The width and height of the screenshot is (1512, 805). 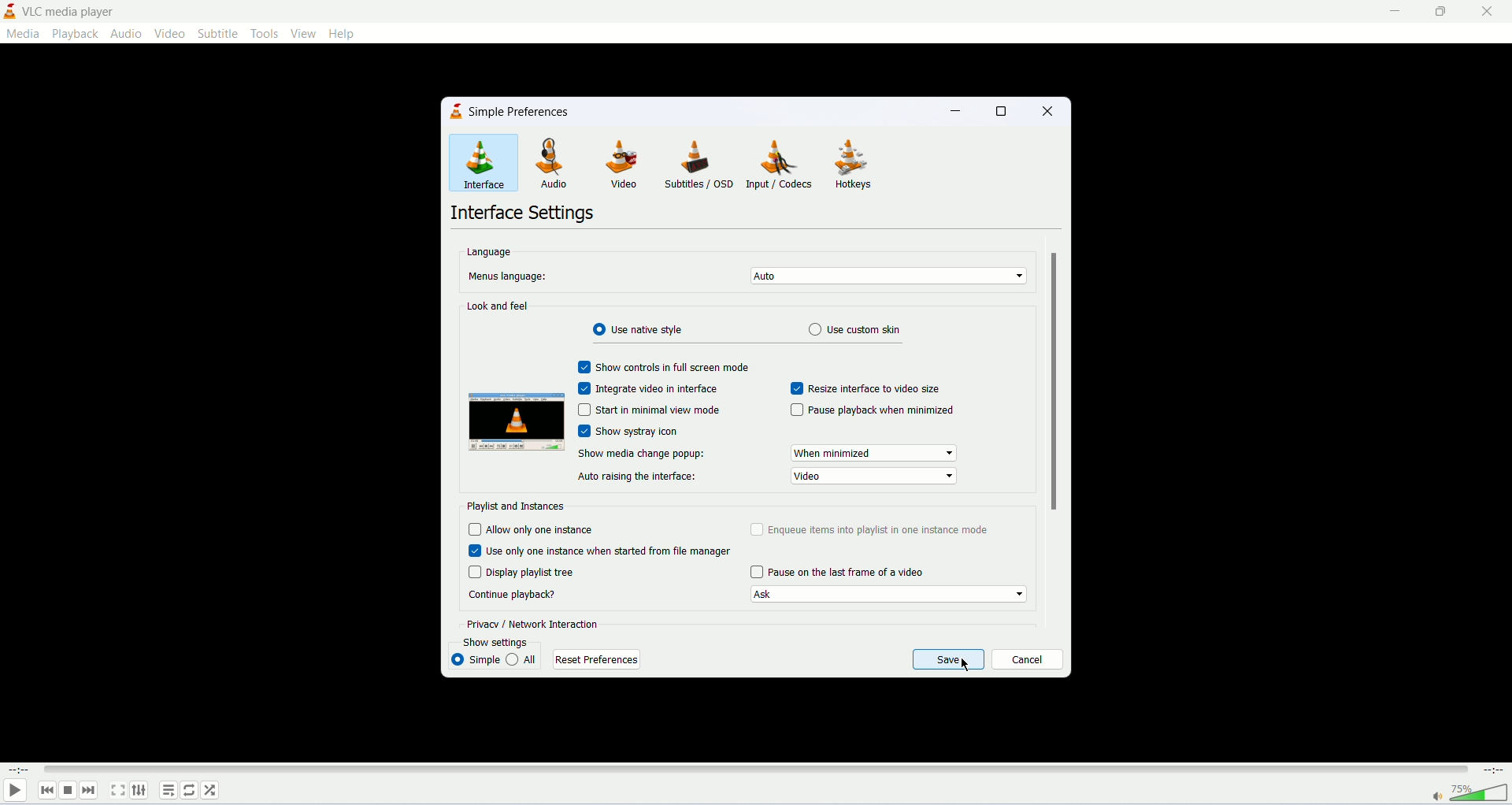 What do you see at coordinates (1495, 771) in the screenshot?
I see `total time` at bounding box center [1495, 771].